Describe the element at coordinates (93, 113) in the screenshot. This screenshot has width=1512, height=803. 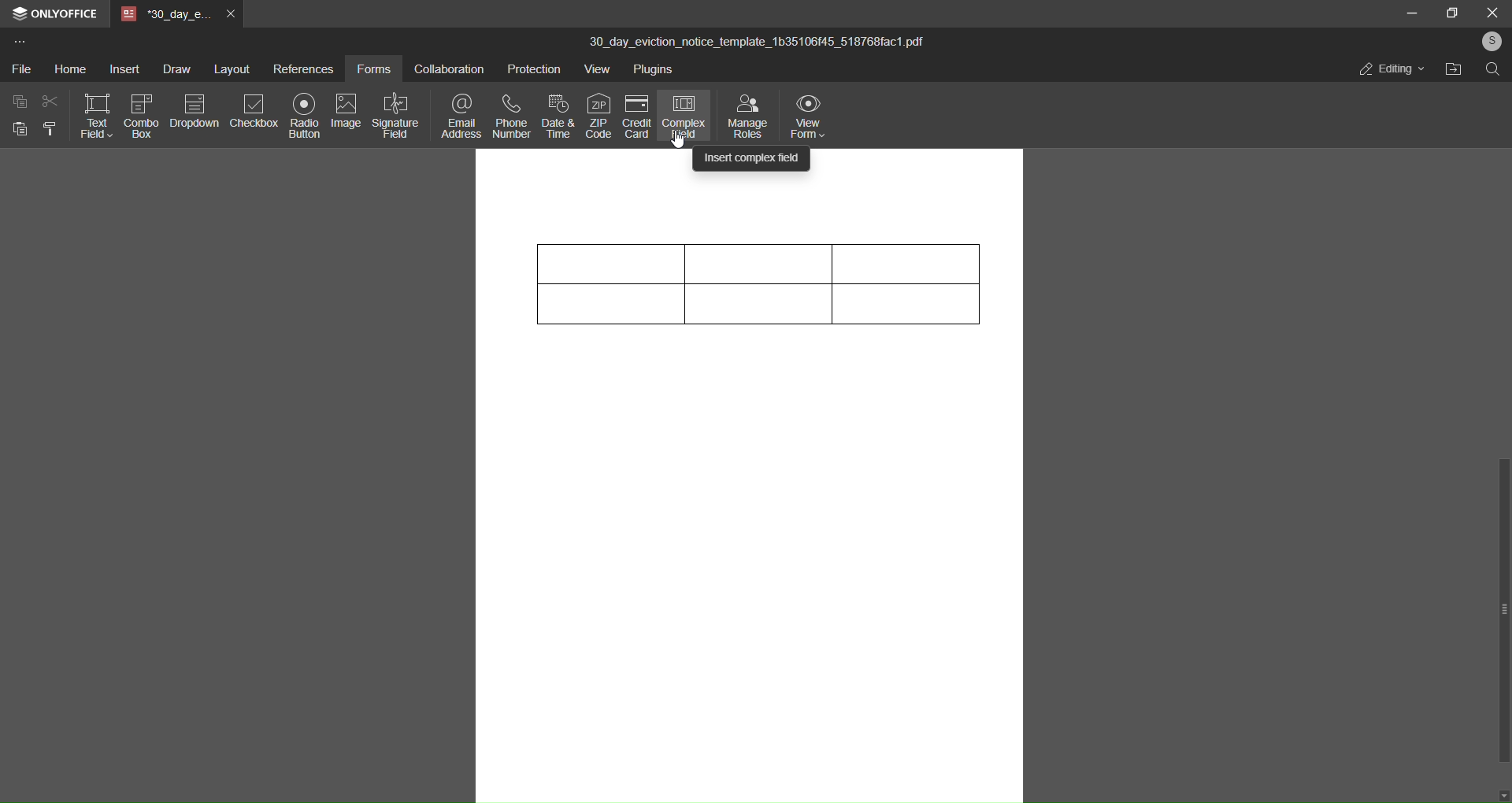
I see `text field` at that location.